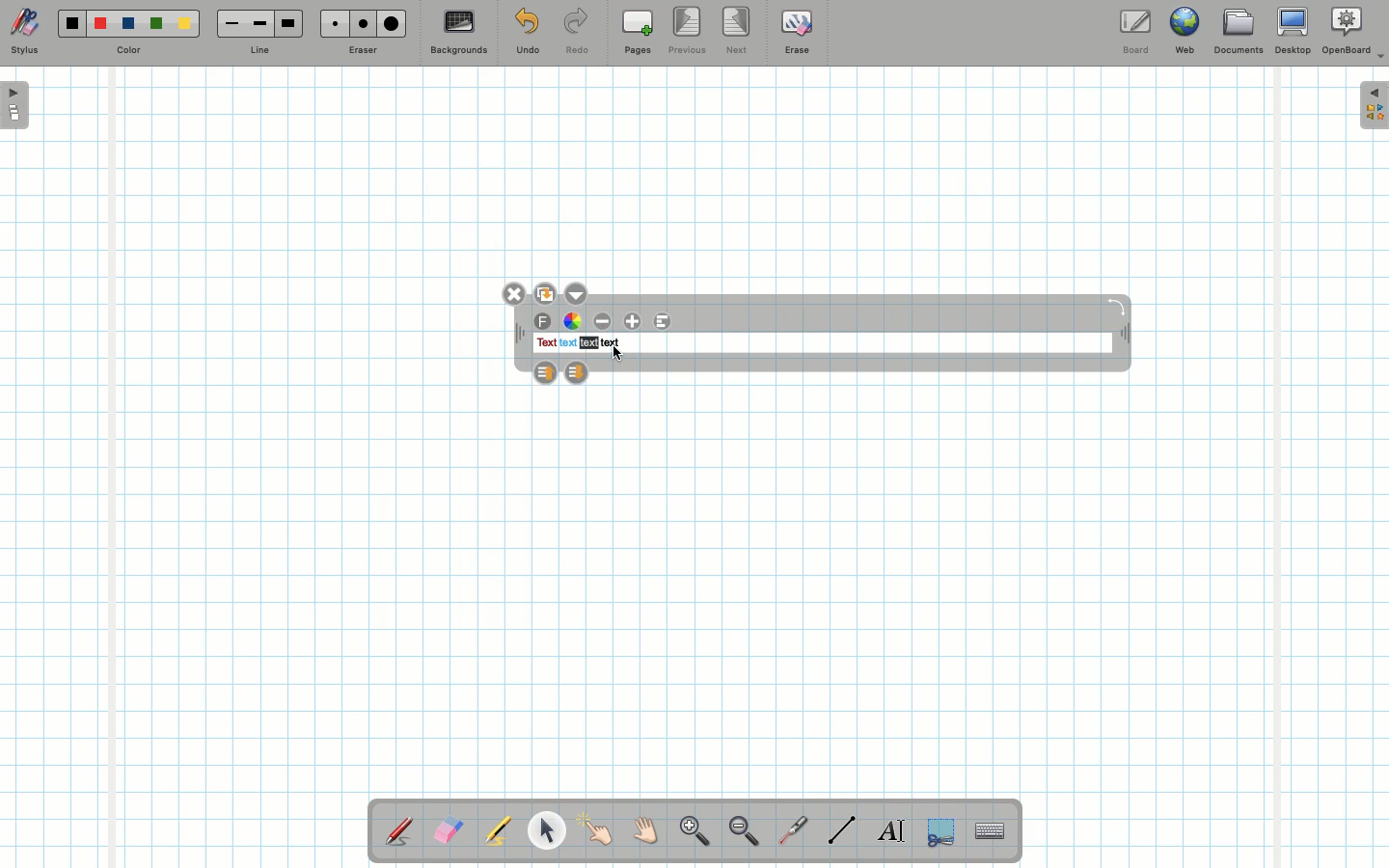 The image size is (1389, 868). What do you see at coordinates (638, 34) in the screenshot?
I see `Pages` at bounding box center [638, 34].